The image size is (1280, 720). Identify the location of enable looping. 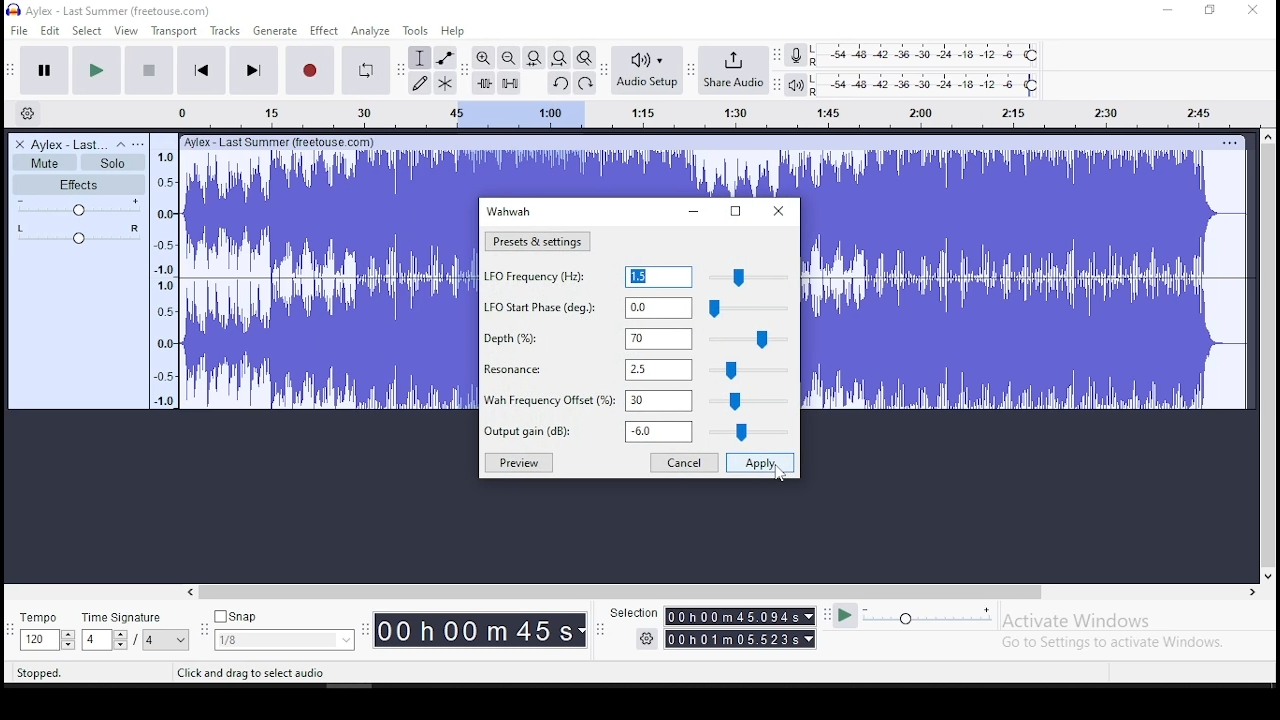
(366, 70).